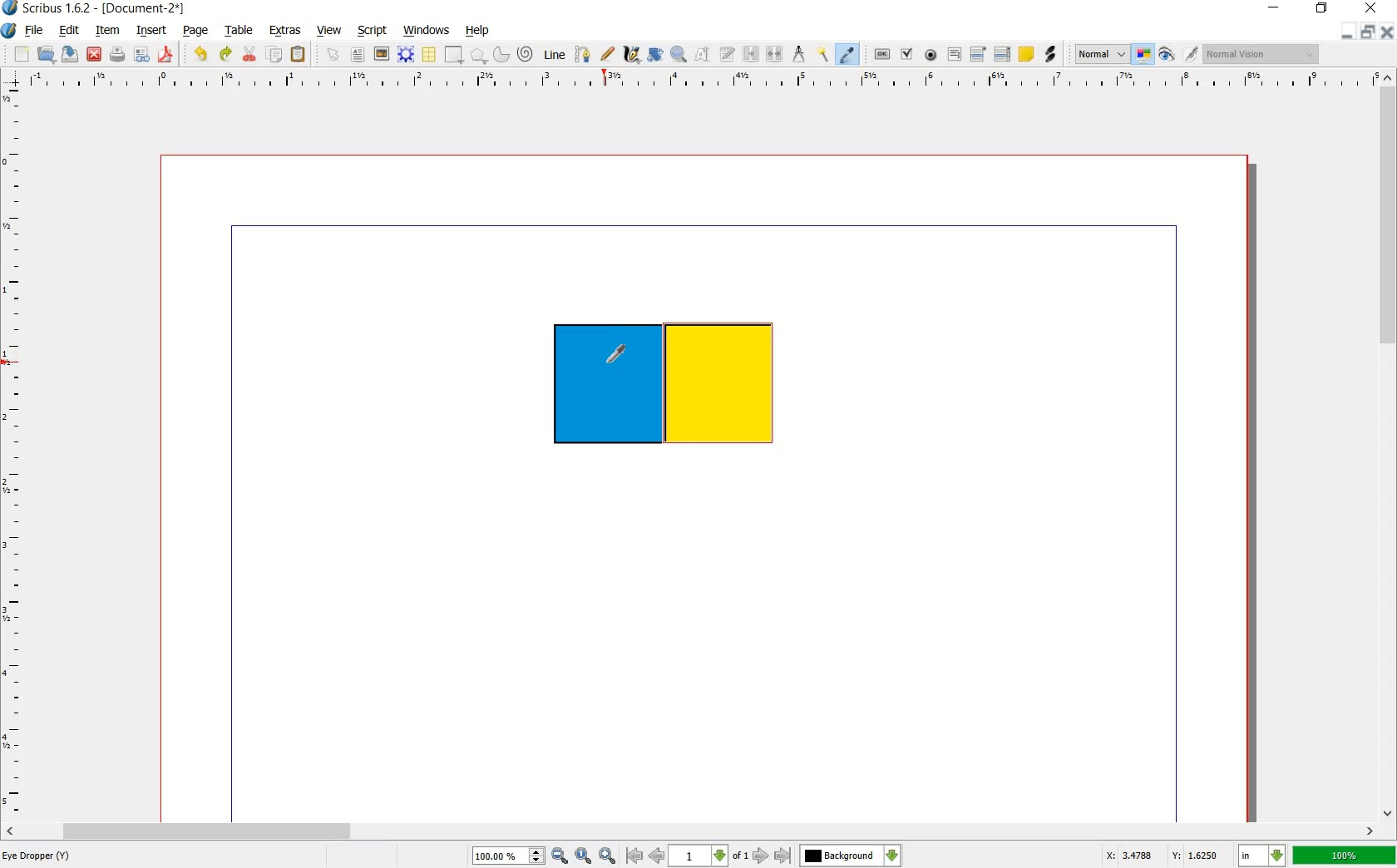  What do you see at coordinates (955, 57) in the screenshot?
I see `pdf text field` at bounding box center [955, 57].